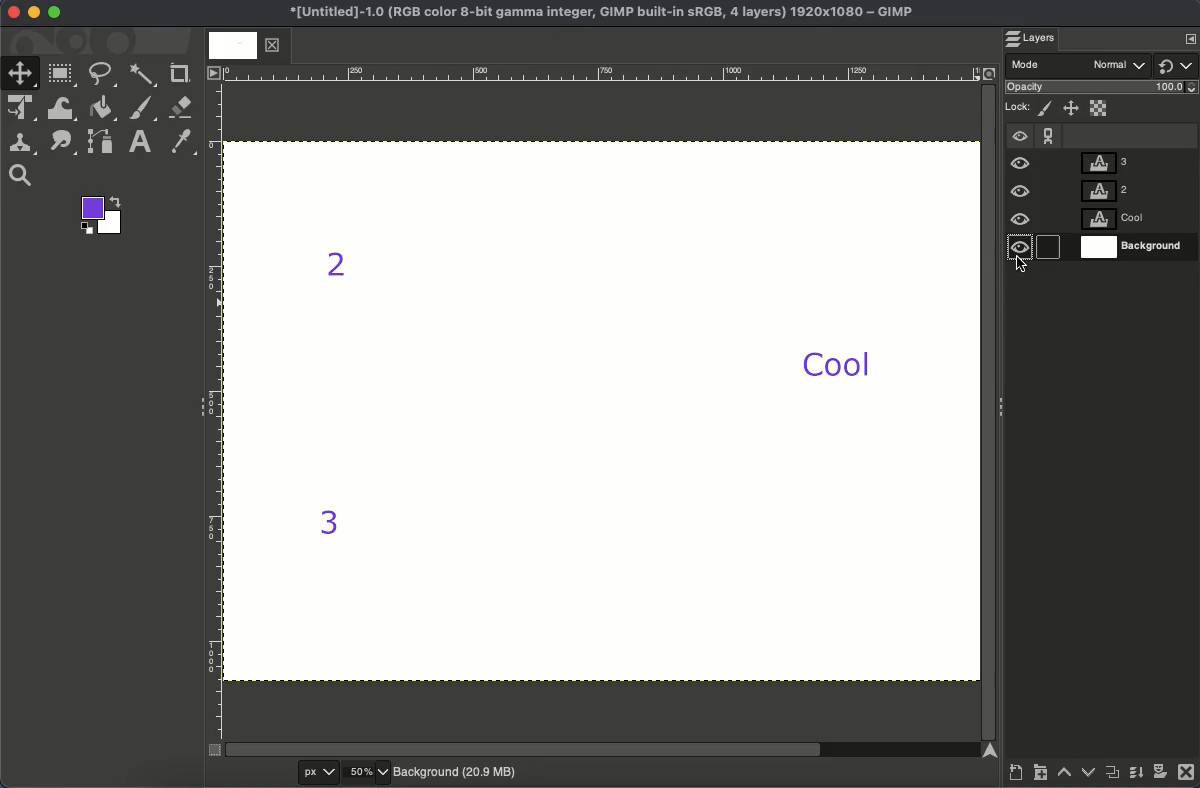 The width and height of the screenshot is (1200, 788). What do you see at coordinates (603, 750) in the screenshot?
I see `Scroll` at bounding box center [603, 750].